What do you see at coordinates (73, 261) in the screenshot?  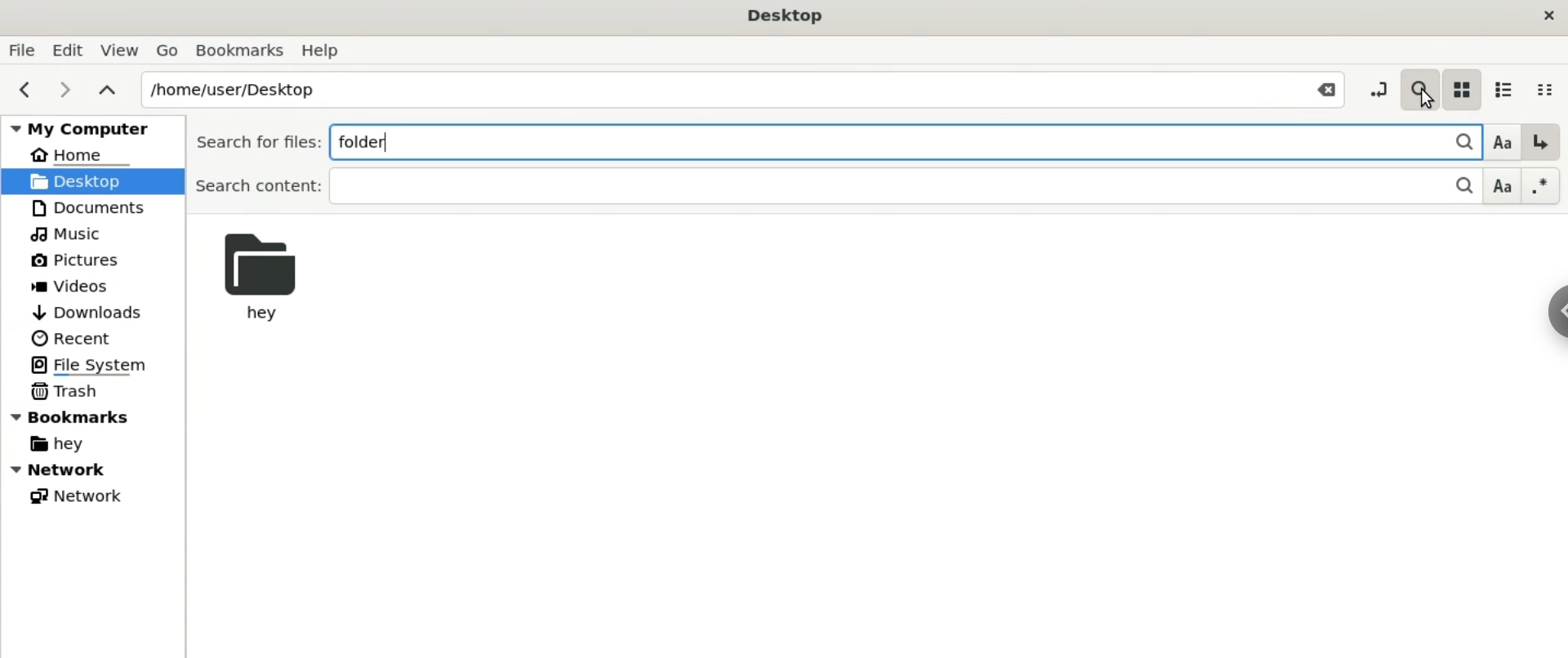 I see `Pictures` at bounding box center [73, 261].